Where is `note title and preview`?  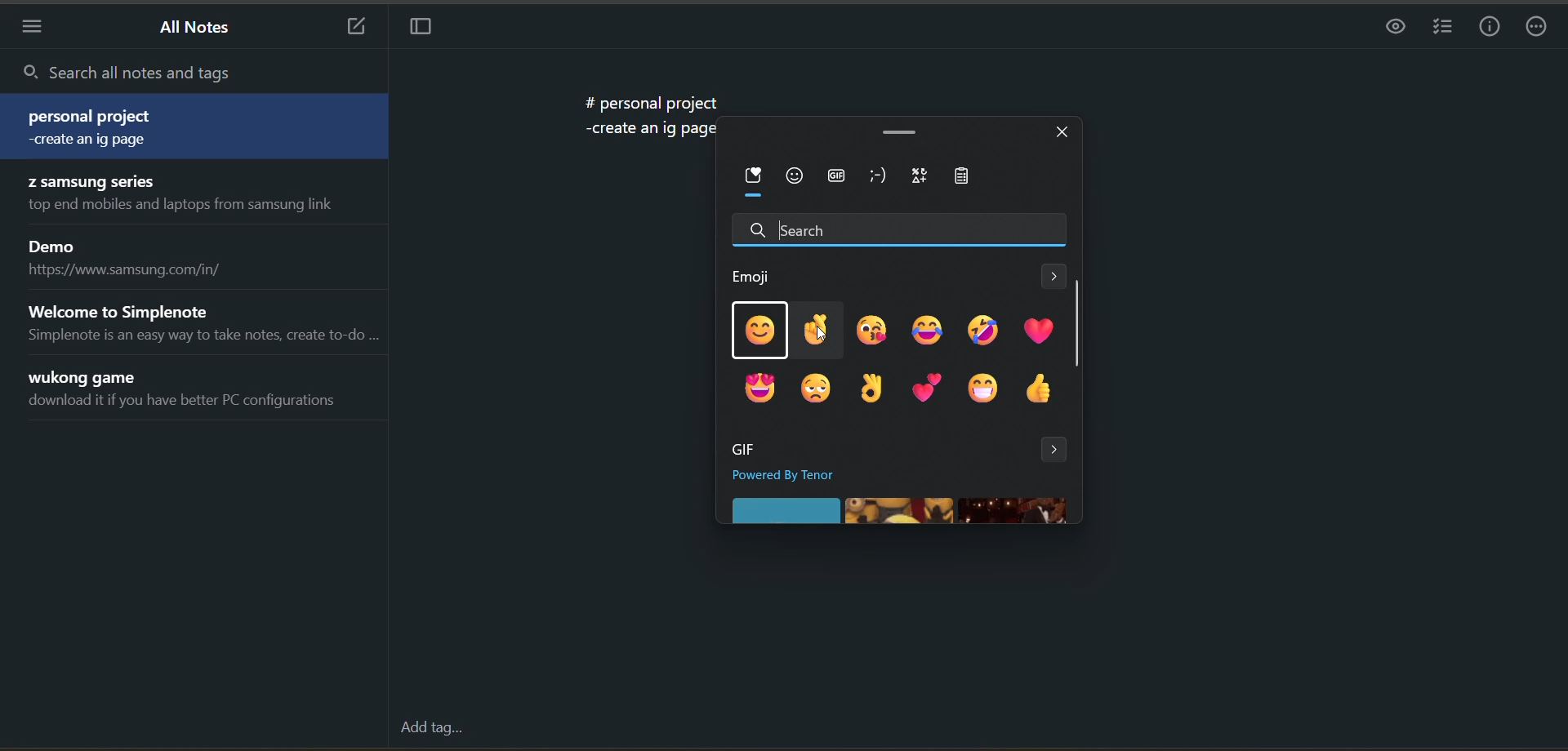 note title and preview is located at coordinates (203, 323).